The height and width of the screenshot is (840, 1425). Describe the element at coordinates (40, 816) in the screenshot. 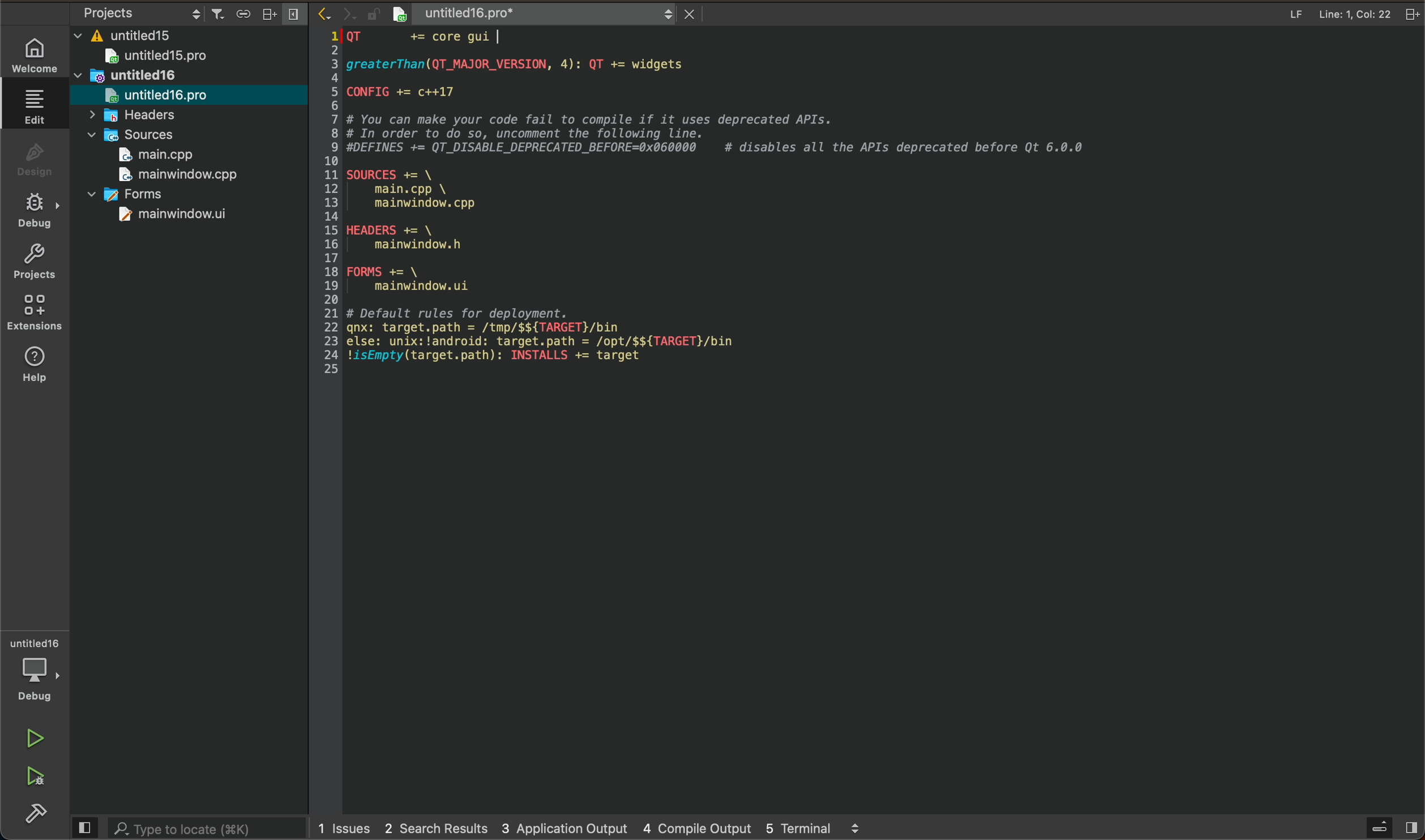

I see `build` at that location.